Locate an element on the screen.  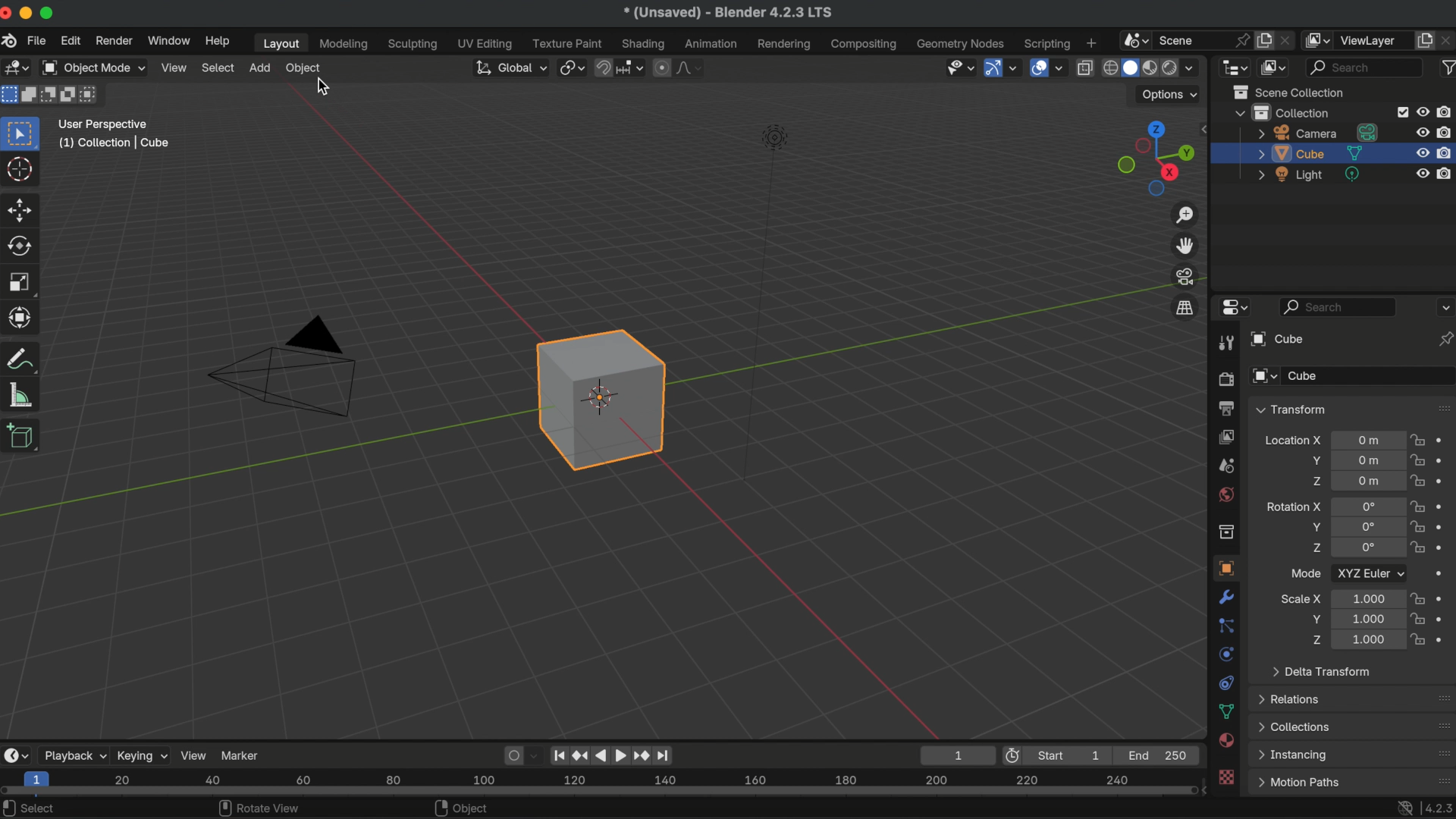
object is located at coordinates (305, 69).